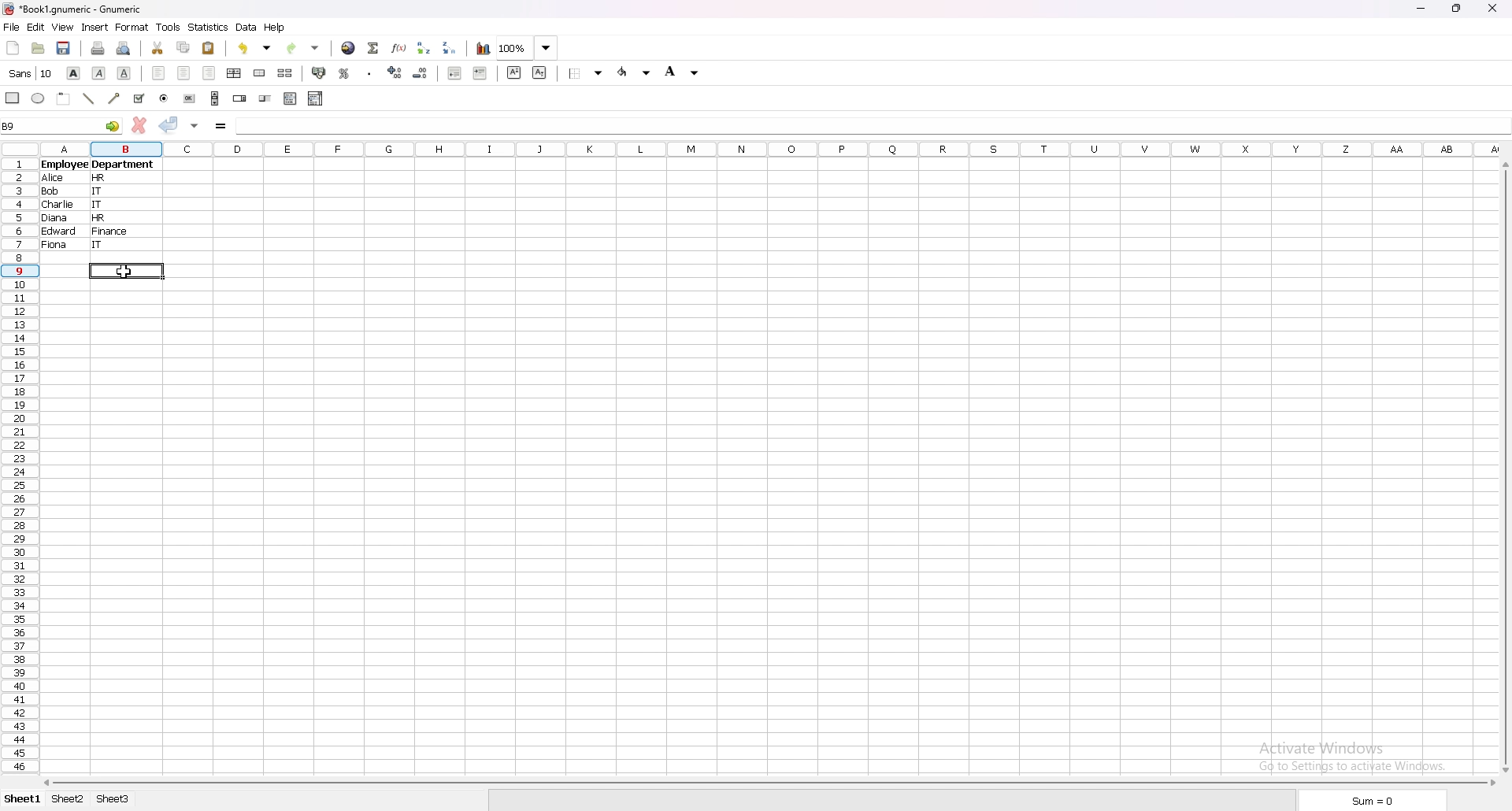  I want to click on increase decimals, so click(397, 73).